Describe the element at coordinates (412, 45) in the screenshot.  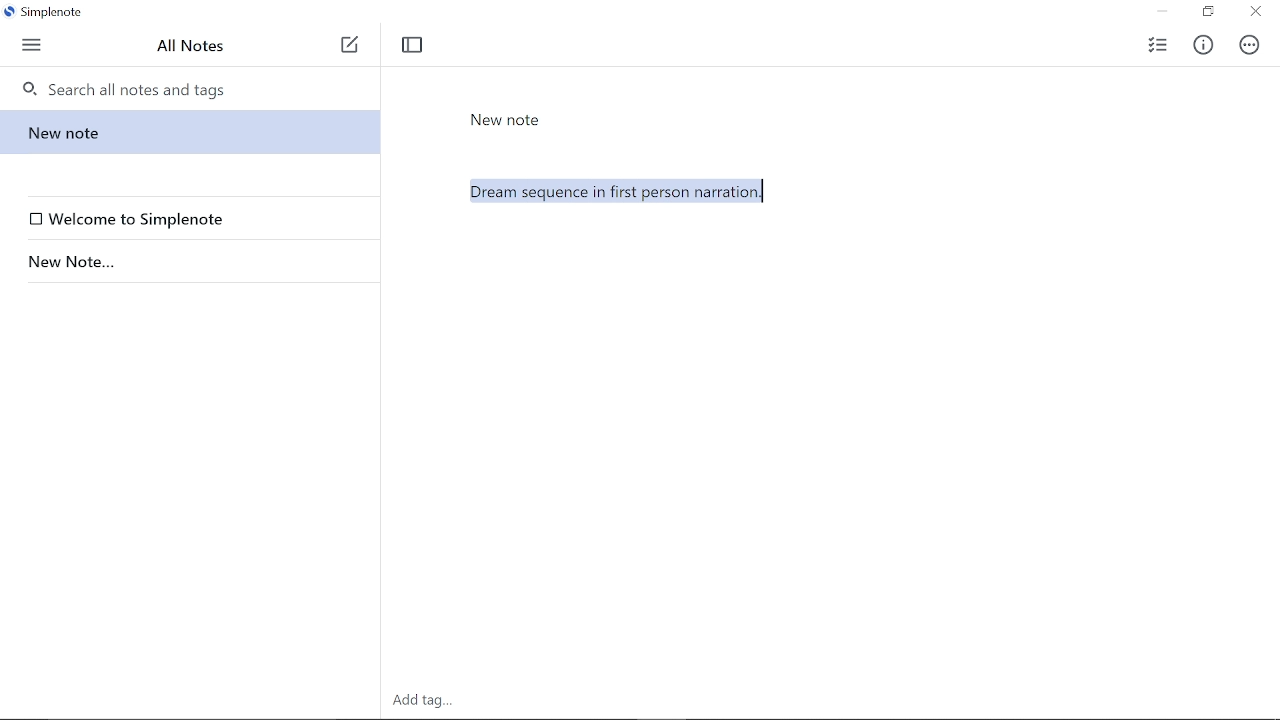
I see `Toggle focus mode` at that location.